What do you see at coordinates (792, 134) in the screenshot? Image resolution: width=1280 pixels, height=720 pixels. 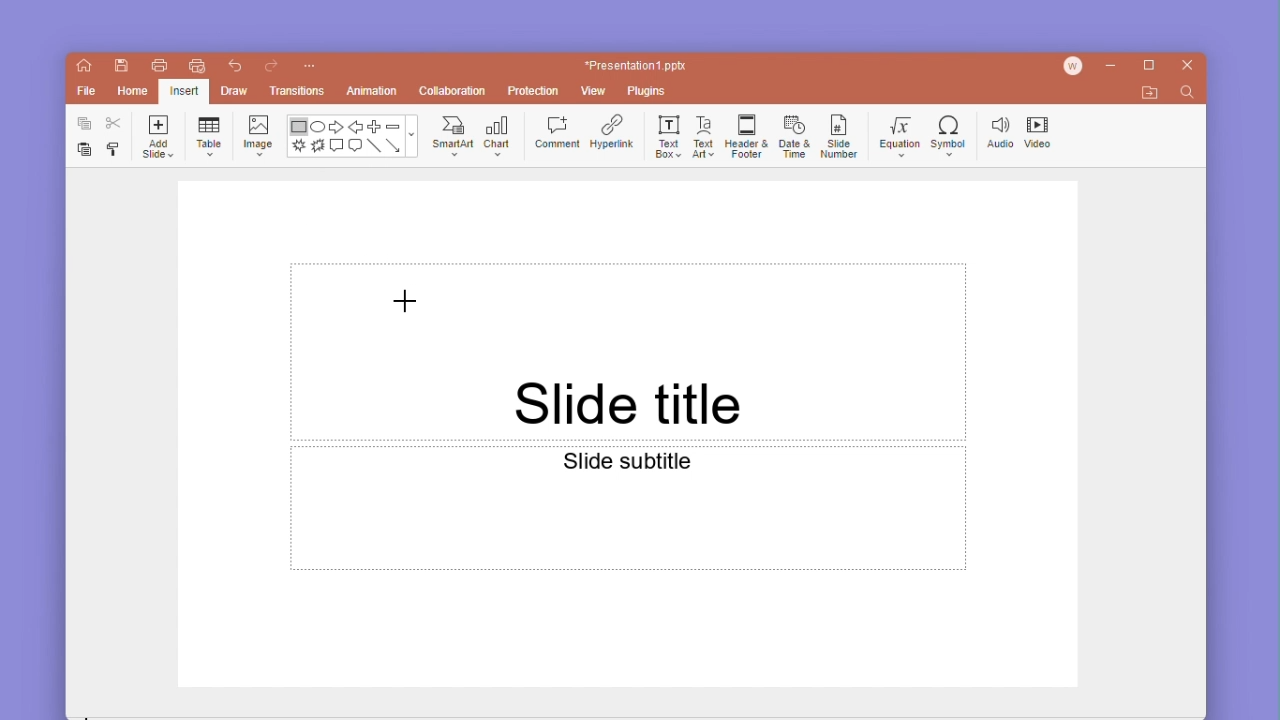 I see `date and time` at bounding box center [792, 134].